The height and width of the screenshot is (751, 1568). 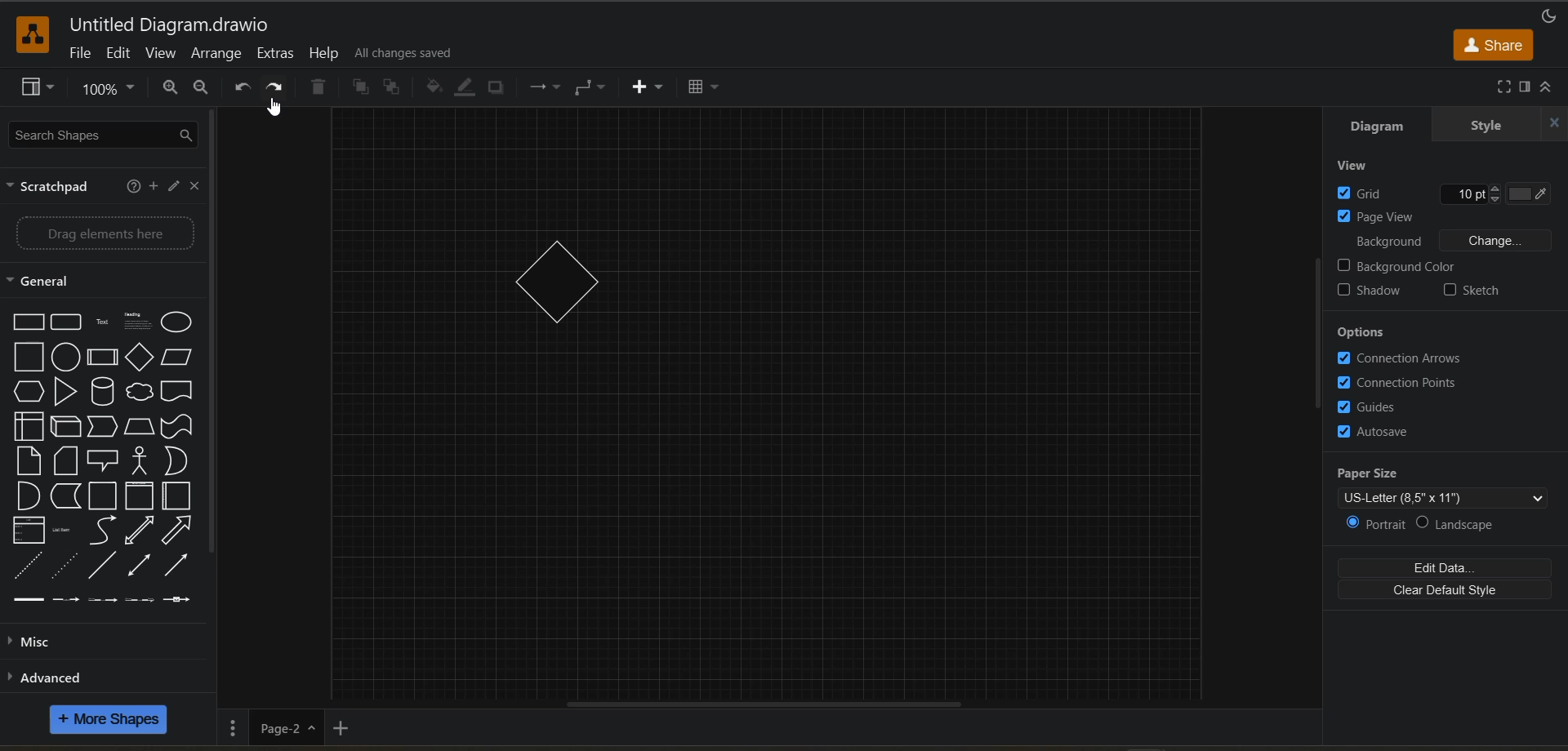 What do you see at coordinates (65, 357) in the screenshot?
I see `circle` at bounding box center [65, 357].